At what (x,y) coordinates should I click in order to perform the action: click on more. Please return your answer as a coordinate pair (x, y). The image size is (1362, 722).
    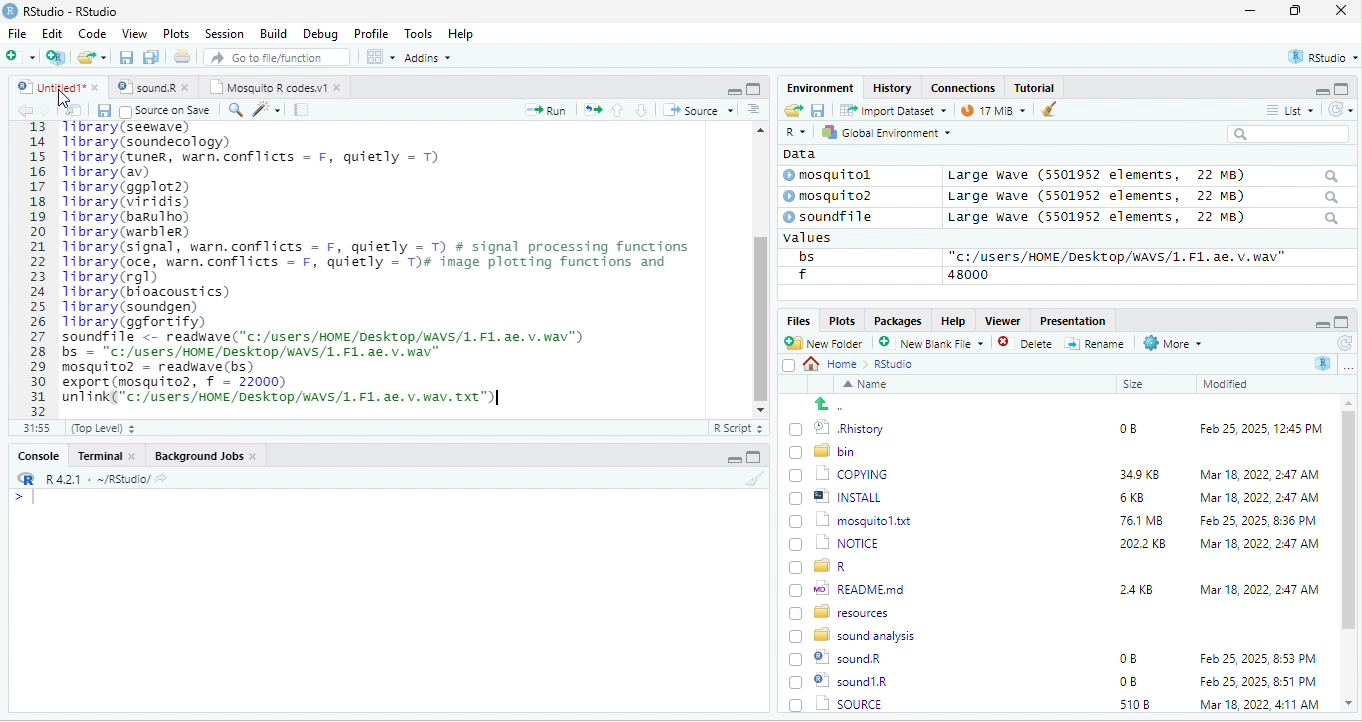
    Looking at the image, I should click on (1348, 366).